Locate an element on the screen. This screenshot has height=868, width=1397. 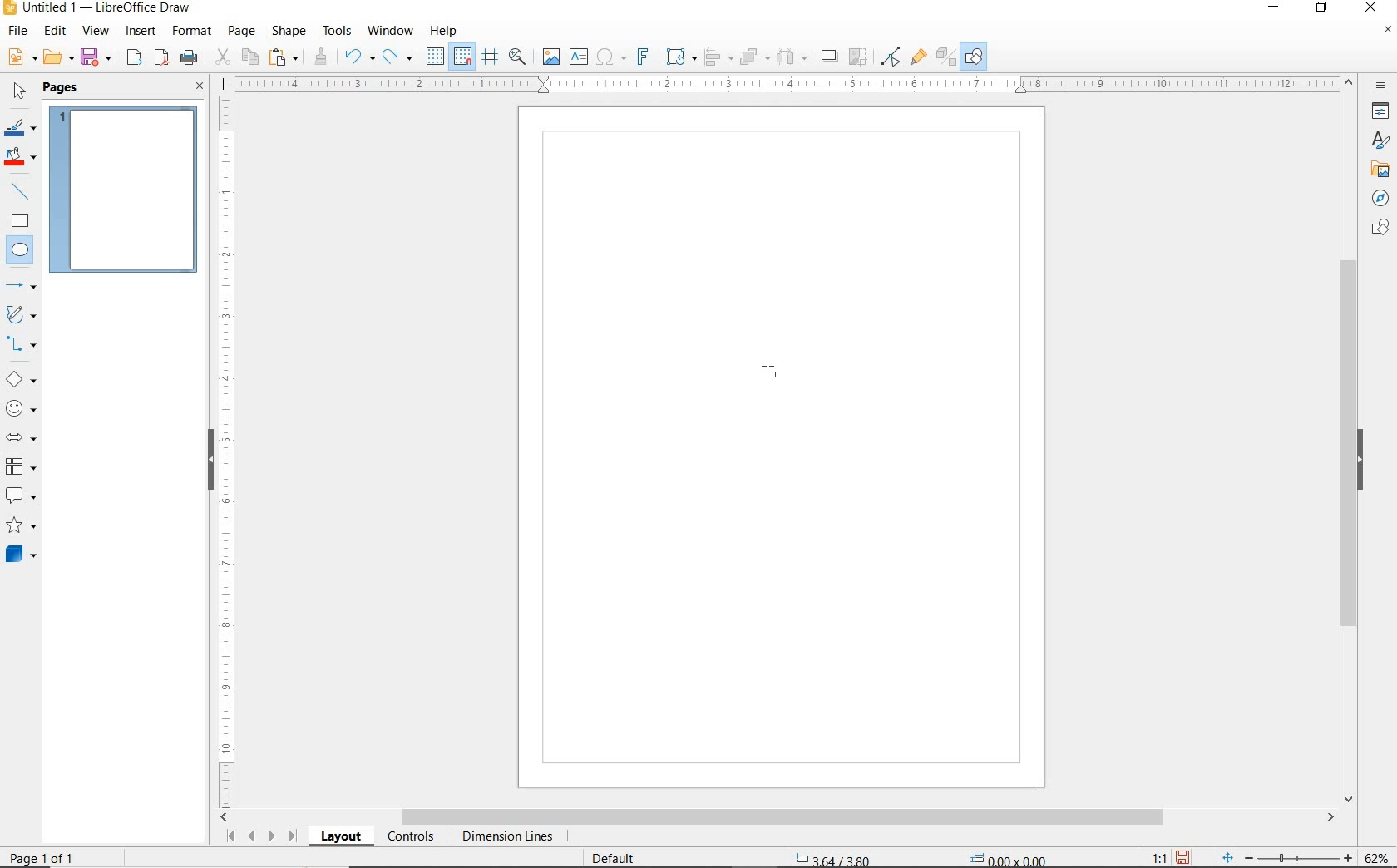
BASIC SHAPES is located at coordinates (22, 382).